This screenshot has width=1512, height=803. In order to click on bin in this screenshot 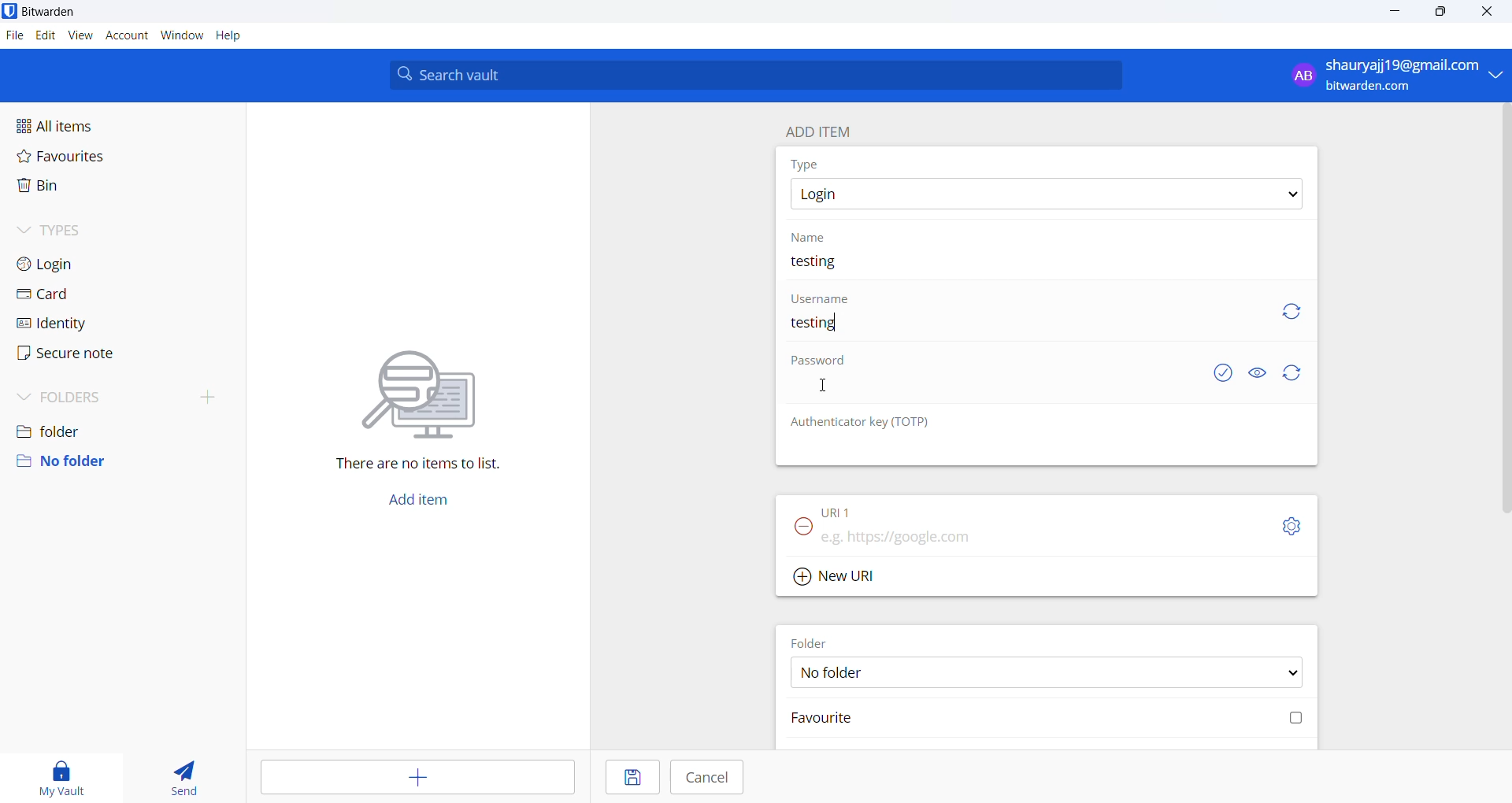, I will do `click(82, 191)`.